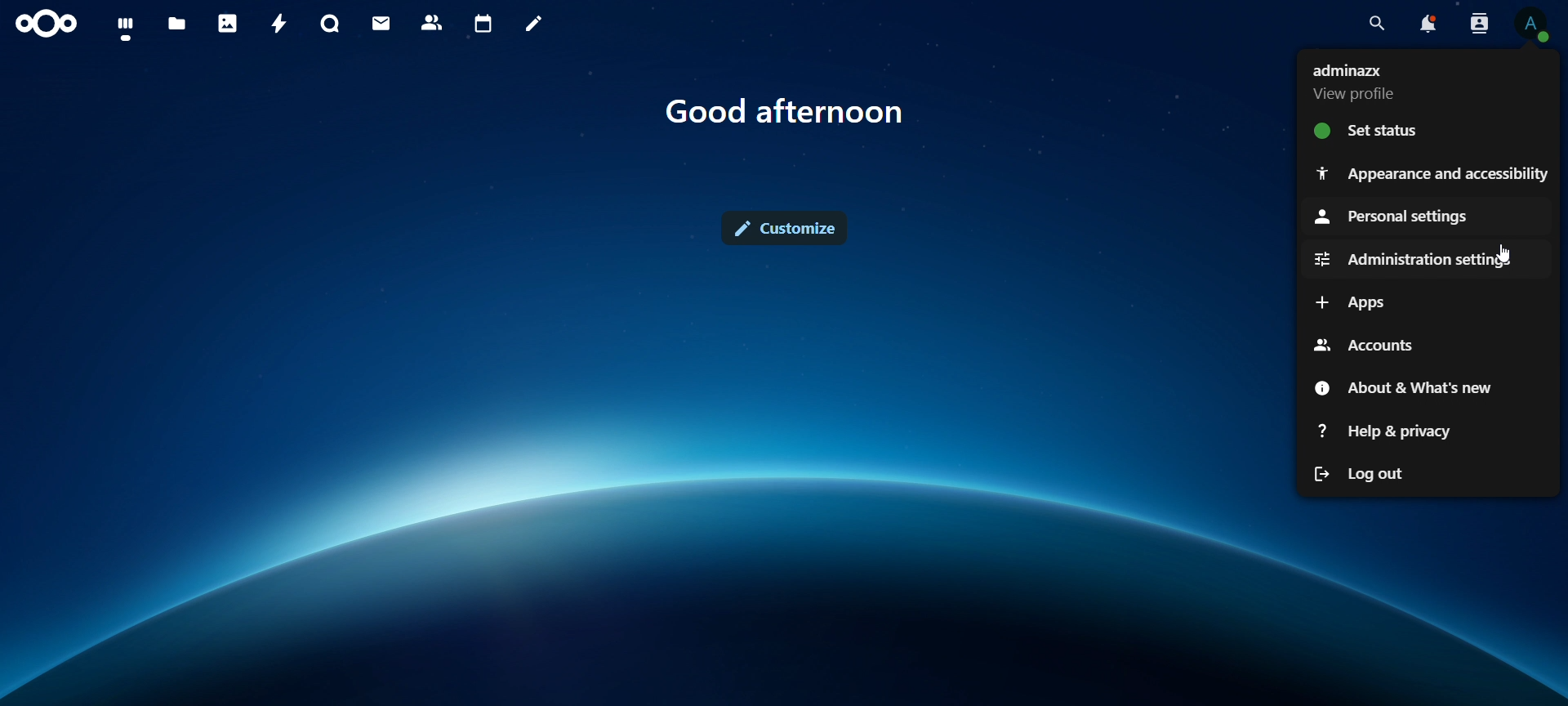 The height and width of the screenshot is (706, 1568). I want to click on search contacts, so click(1478, 25).